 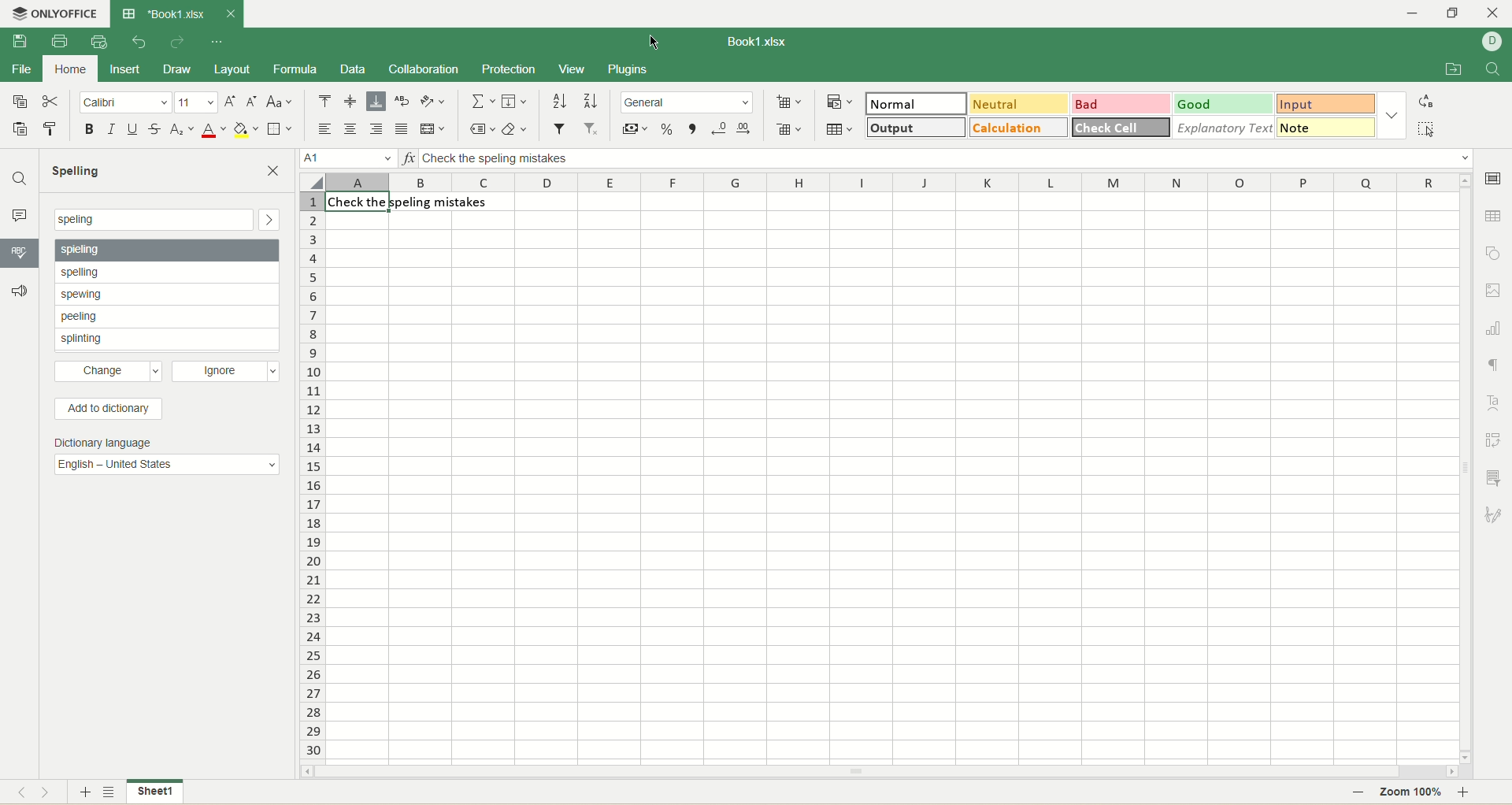 What do you see at coordinates (165, 293) in the screenshot?
I see `spell check suggestions` at bounding box center [165, 293].